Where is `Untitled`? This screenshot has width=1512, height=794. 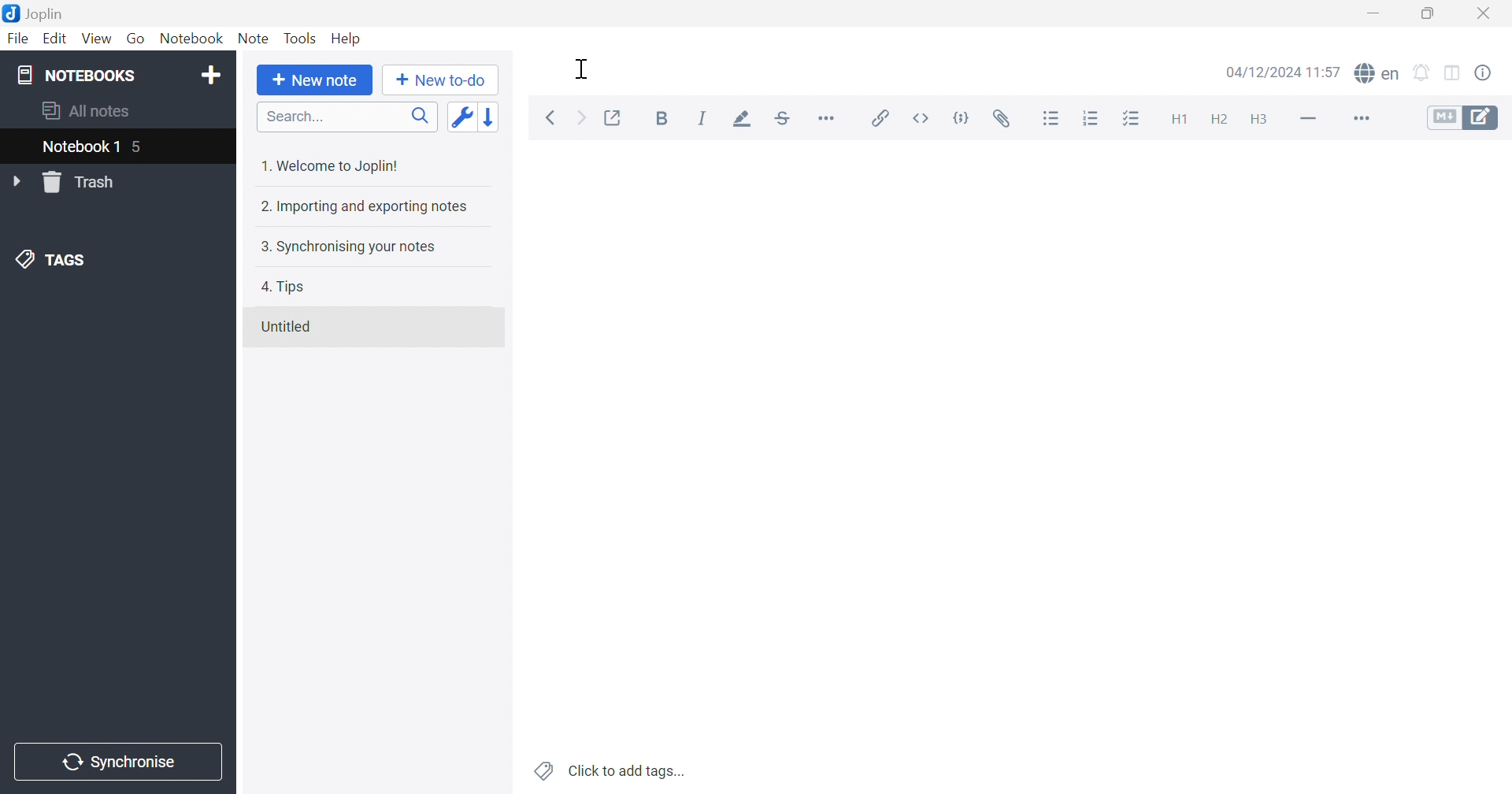 Untitled is located at coordinates (287, 326).